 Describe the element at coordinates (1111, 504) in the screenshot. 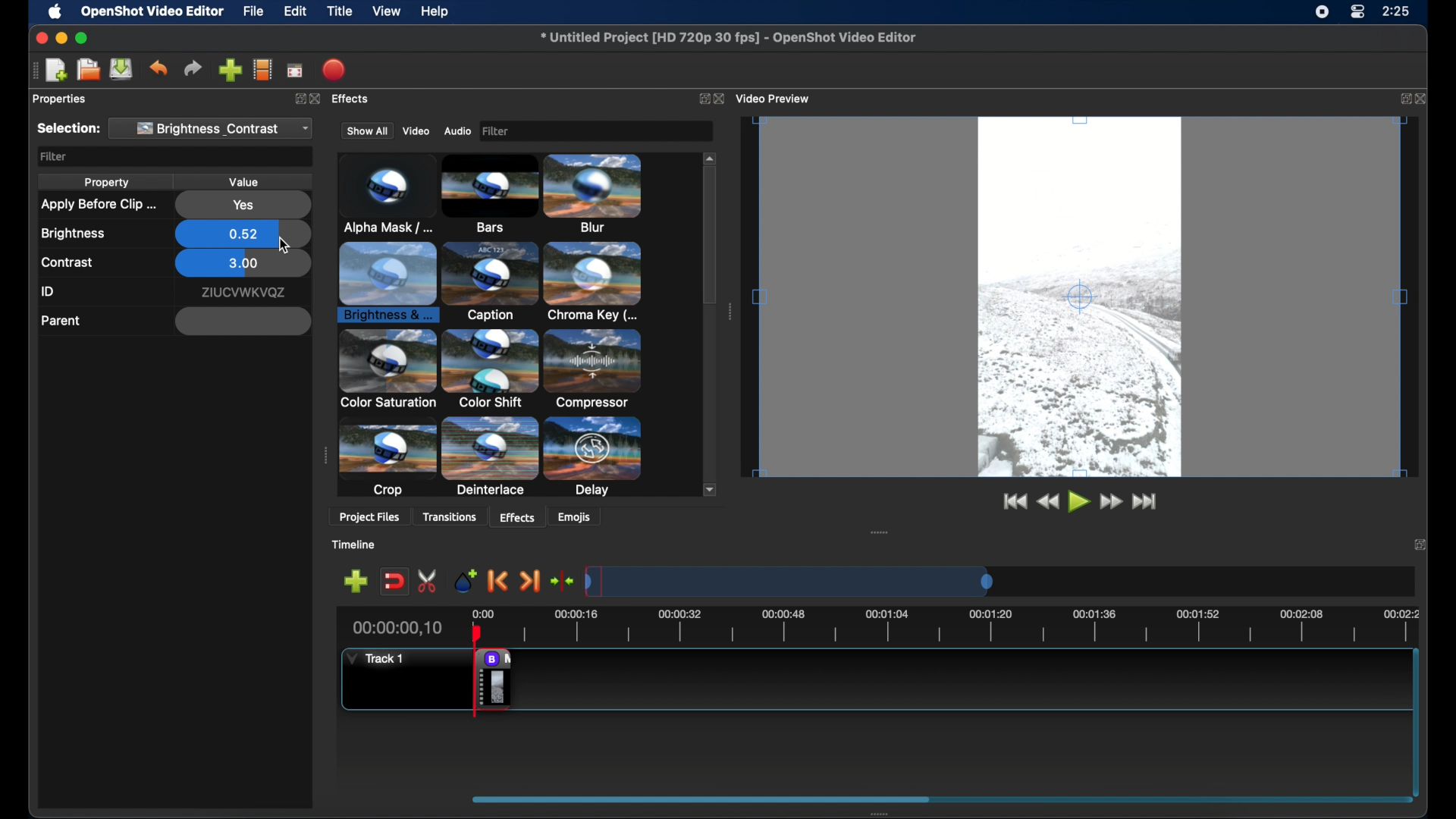

I see `fast for` at that location.